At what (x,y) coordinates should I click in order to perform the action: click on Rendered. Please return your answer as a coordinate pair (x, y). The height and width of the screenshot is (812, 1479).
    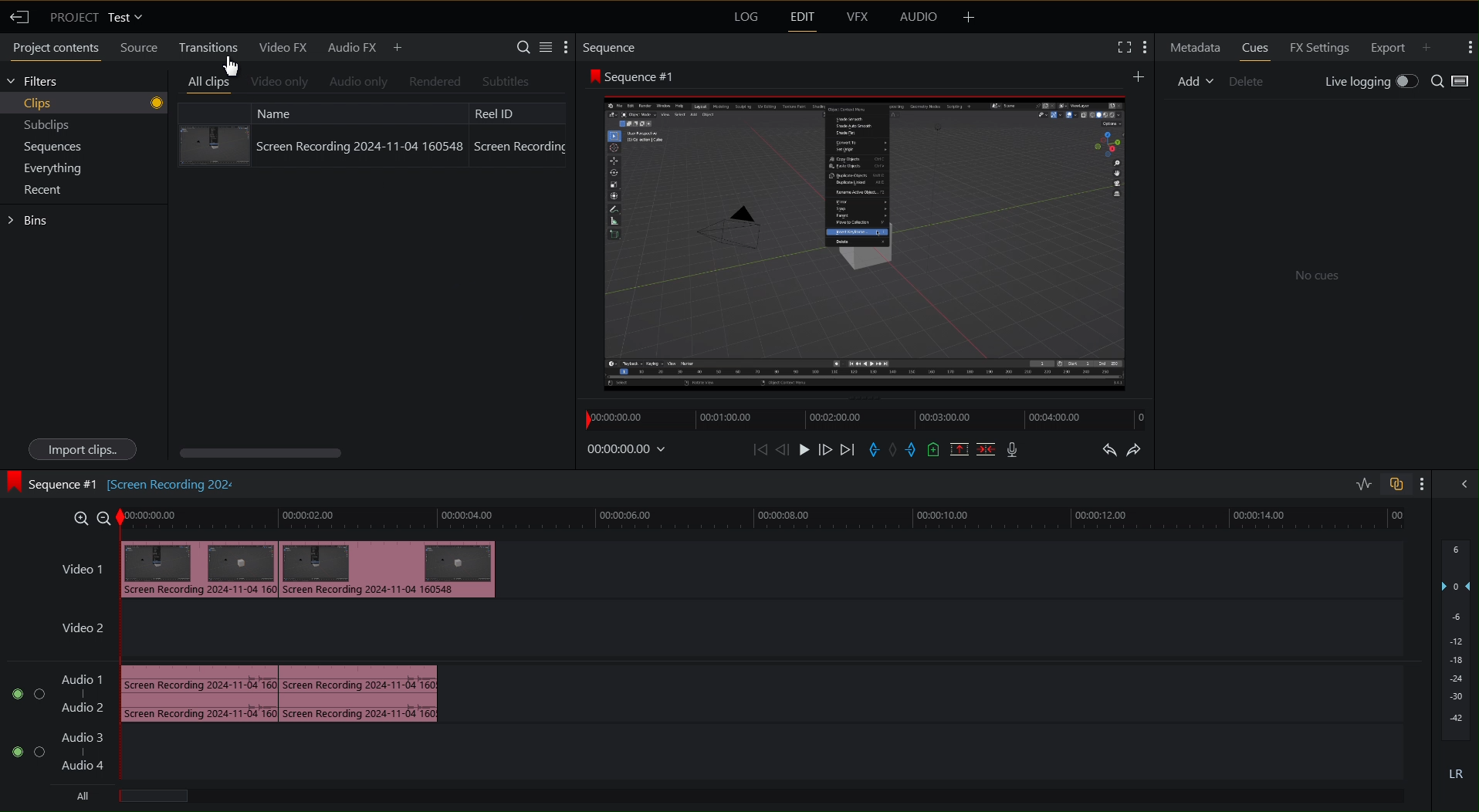
    Looking at the image, I should click on (435, 80).